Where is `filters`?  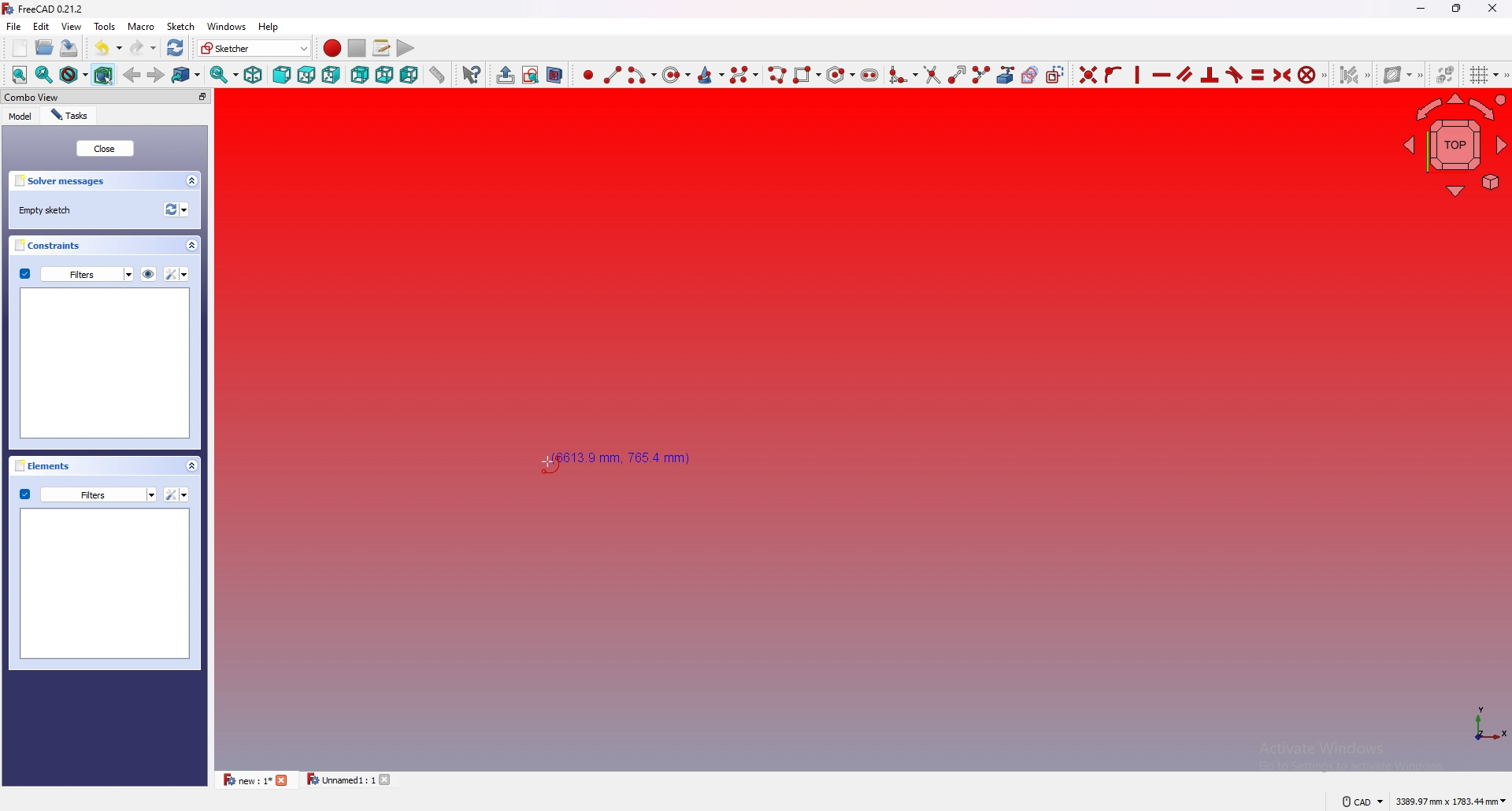 filters is located at coordinates (87, 494).